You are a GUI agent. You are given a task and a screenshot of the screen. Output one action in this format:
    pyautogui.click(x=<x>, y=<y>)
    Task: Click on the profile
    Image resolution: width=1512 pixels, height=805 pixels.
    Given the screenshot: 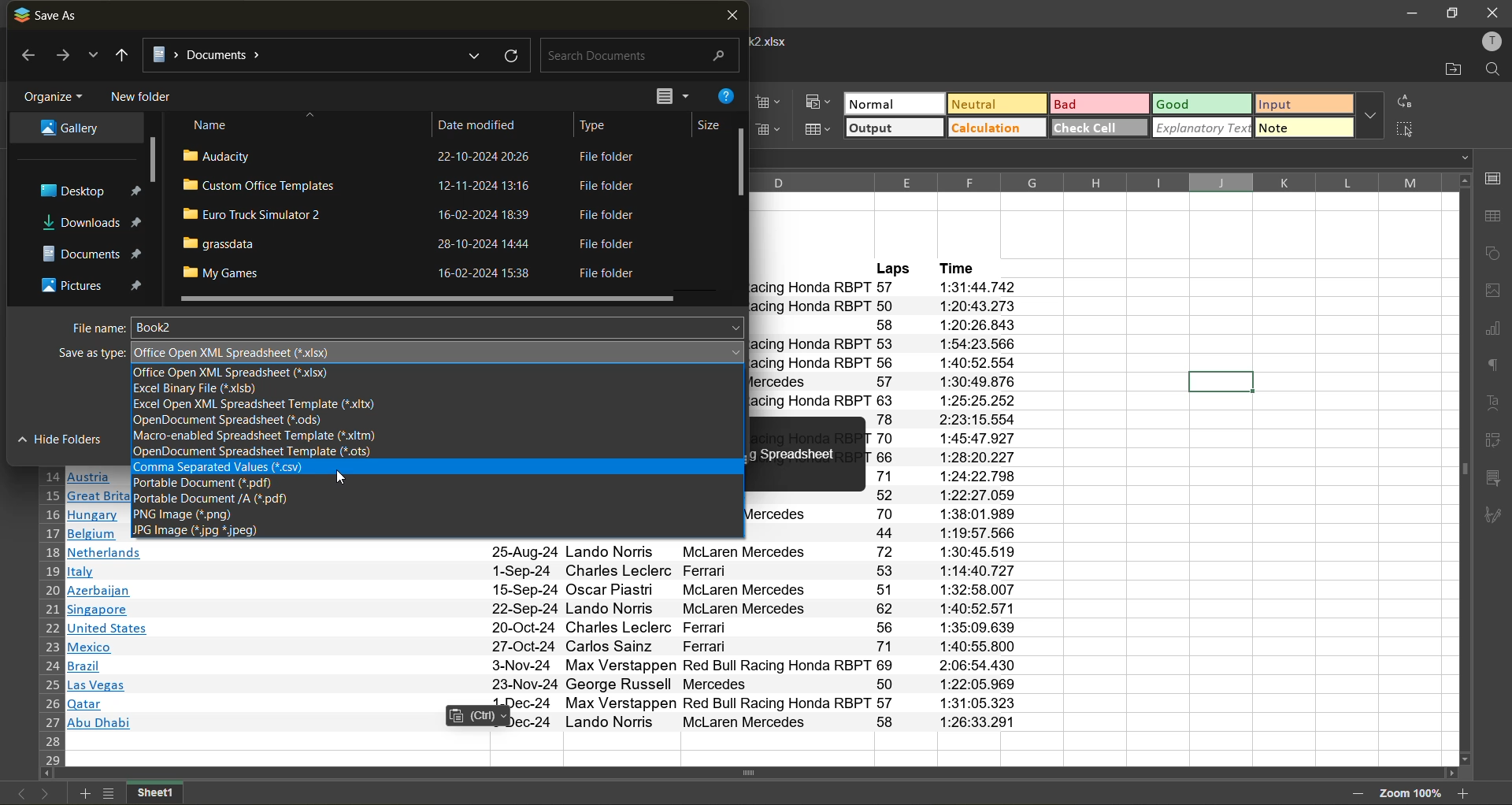 What is the action you would take?
    pyautogui.click(x=1492, y=39)
    